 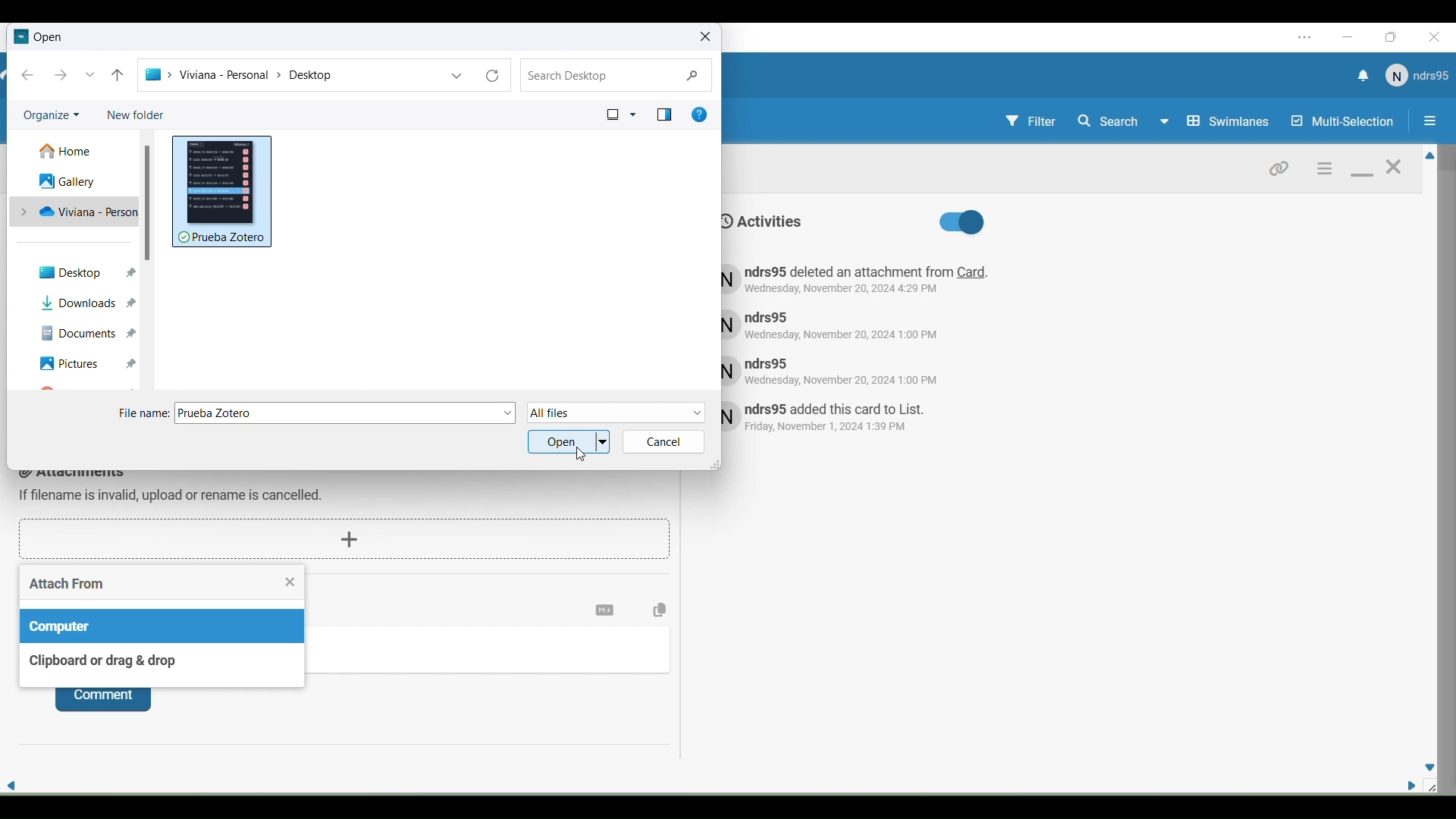 What do you see at coordinates (961, 223) in the screenshot?
I see `Activities toggle` at bounding box center [961, 223].